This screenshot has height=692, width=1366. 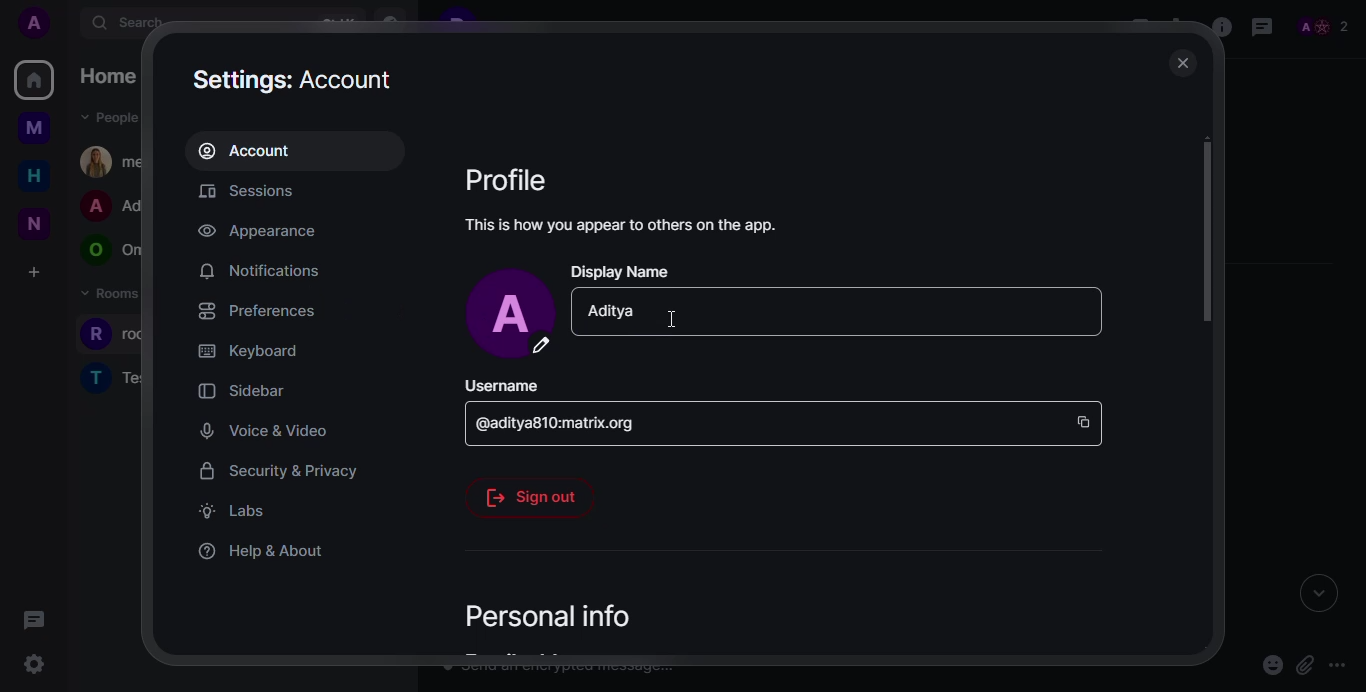 What do you see at coordinates (706, 427) in the screenshot?
I see `id space bar` at bounding box center [706, 427].